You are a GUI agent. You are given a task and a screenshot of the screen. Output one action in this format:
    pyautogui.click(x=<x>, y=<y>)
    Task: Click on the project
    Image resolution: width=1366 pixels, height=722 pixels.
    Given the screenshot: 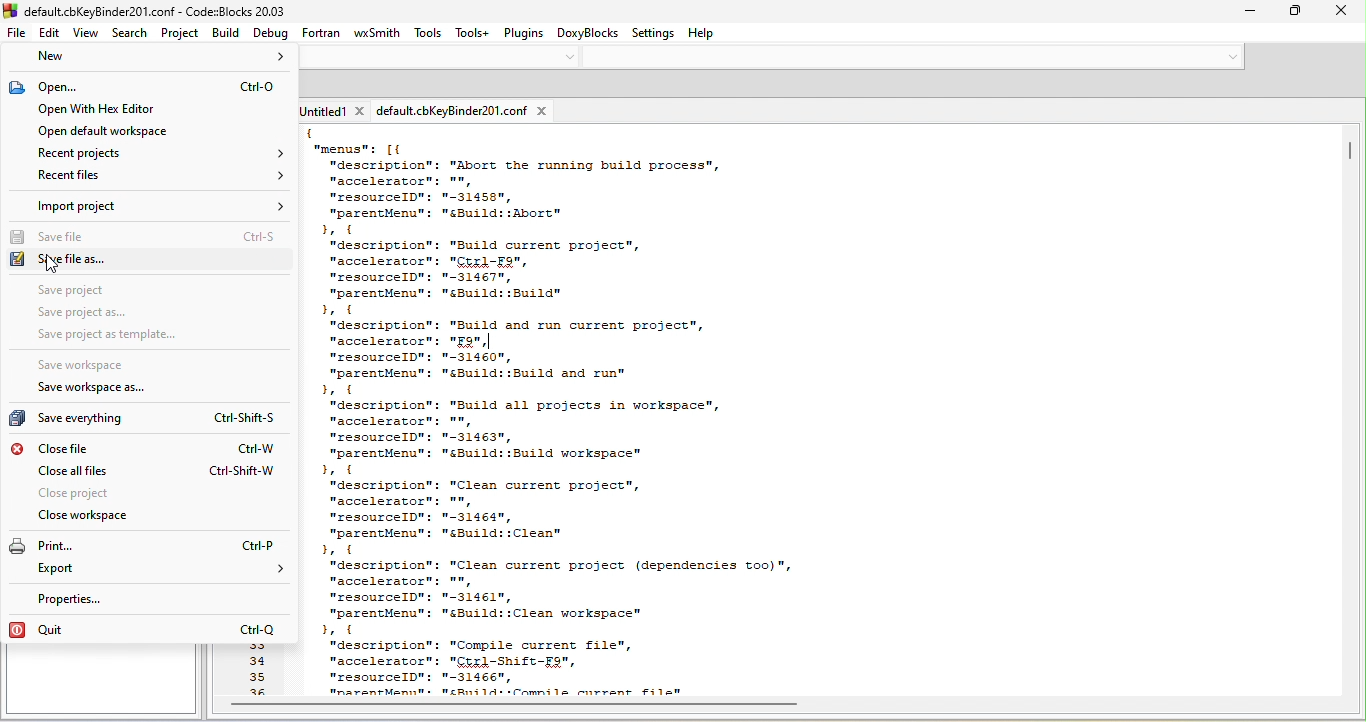 What is the action you would take?
    pyautogui.click(x=181, y=32)
    